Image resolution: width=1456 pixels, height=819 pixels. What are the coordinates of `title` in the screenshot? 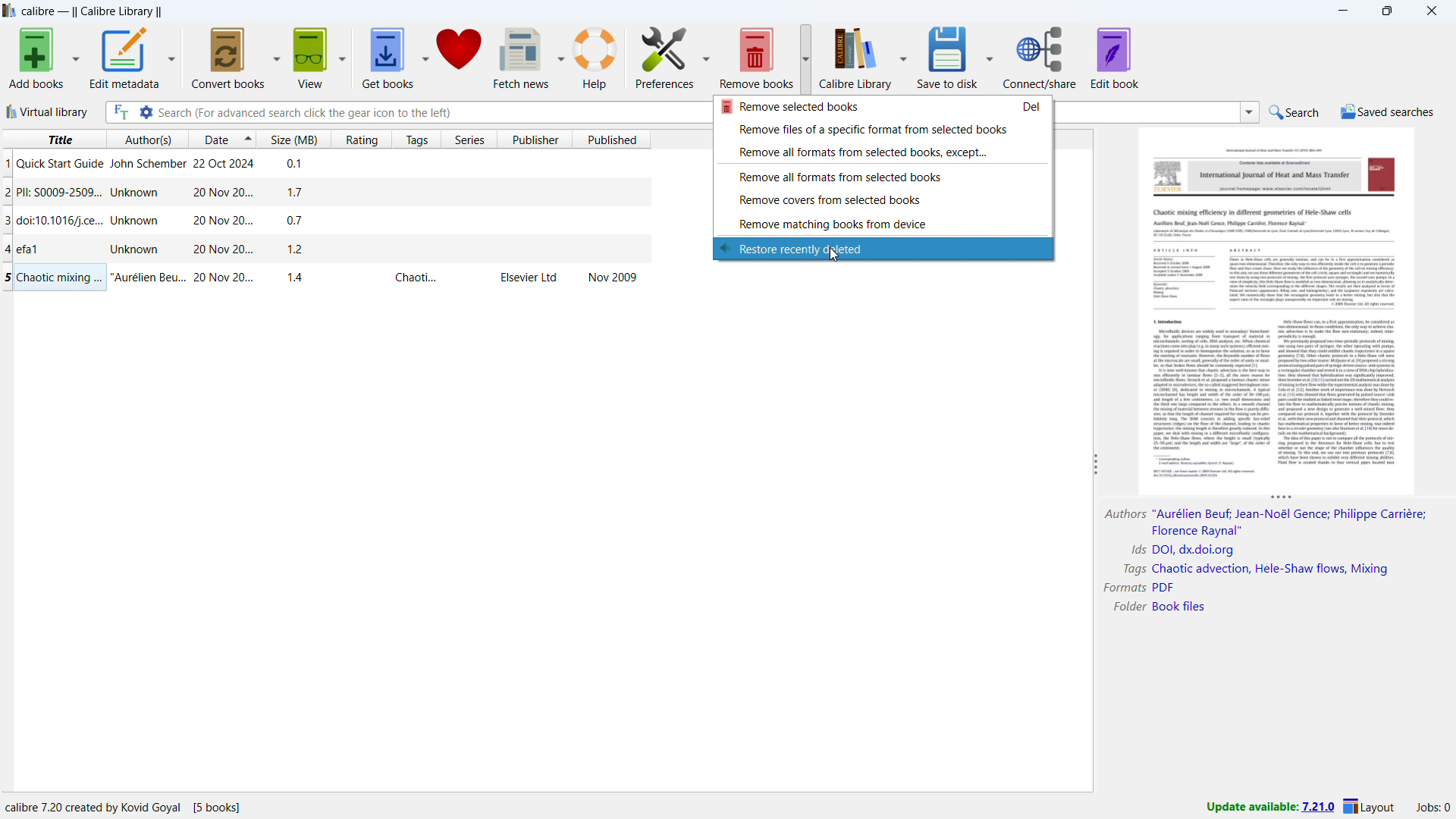 It's located at (93, 11).